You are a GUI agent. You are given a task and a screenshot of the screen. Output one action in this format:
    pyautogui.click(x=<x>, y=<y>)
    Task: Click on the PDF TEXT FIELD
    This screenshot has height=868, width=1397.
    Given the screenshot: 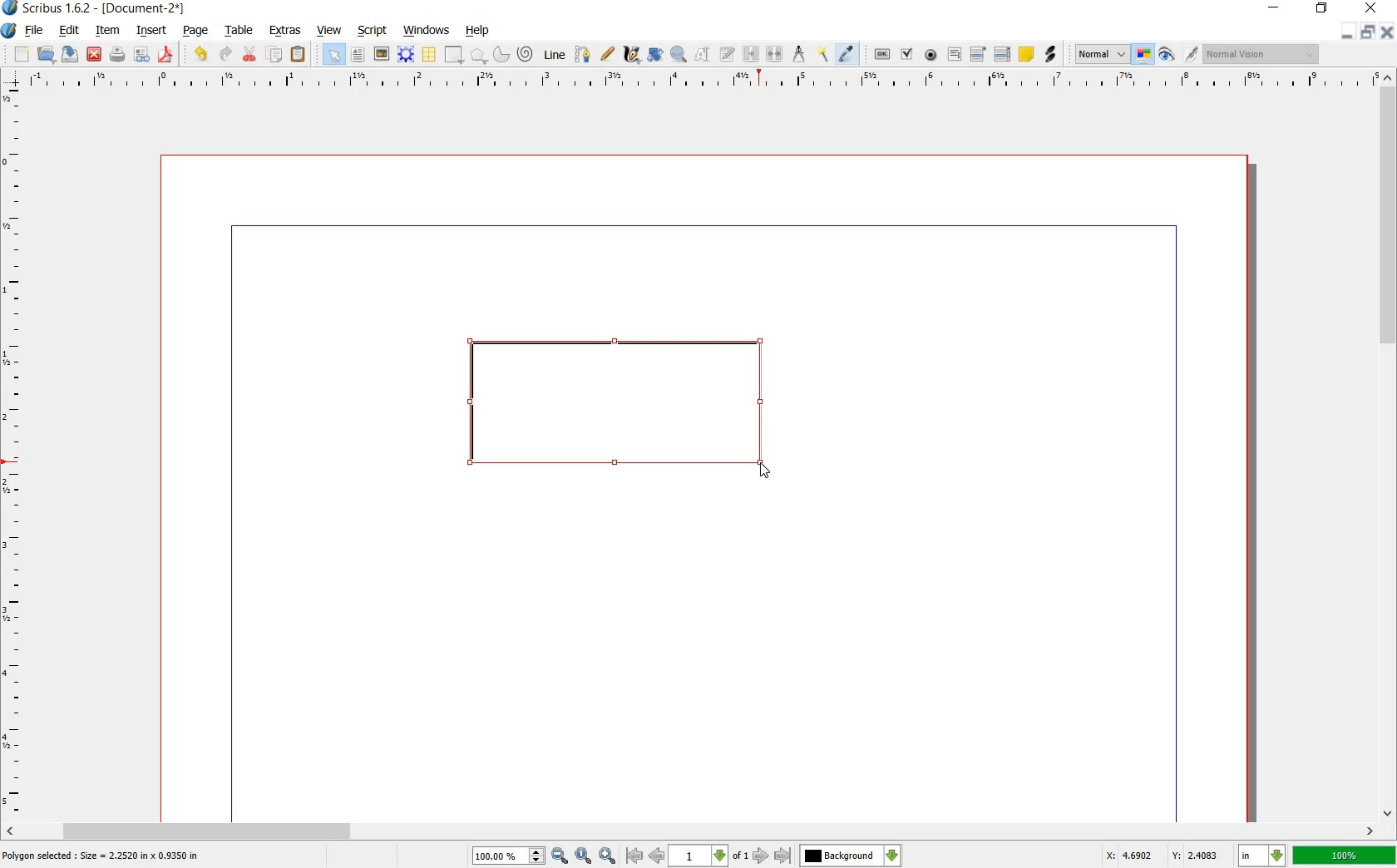 What is the action you would take?
    pyautogui.click(x=954, y=55)
    